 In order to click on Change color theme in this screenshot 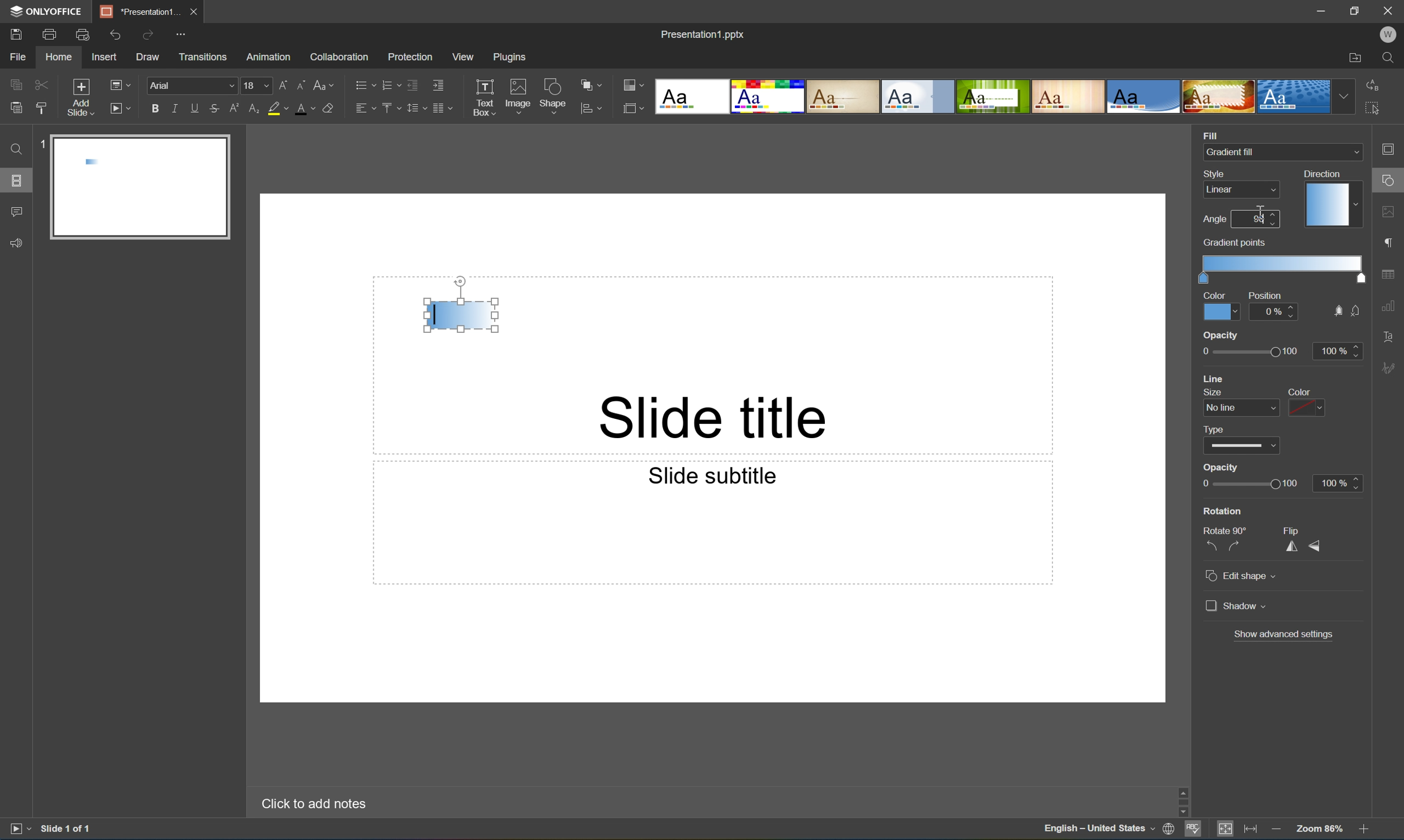, I will do `click(633, 86)`.